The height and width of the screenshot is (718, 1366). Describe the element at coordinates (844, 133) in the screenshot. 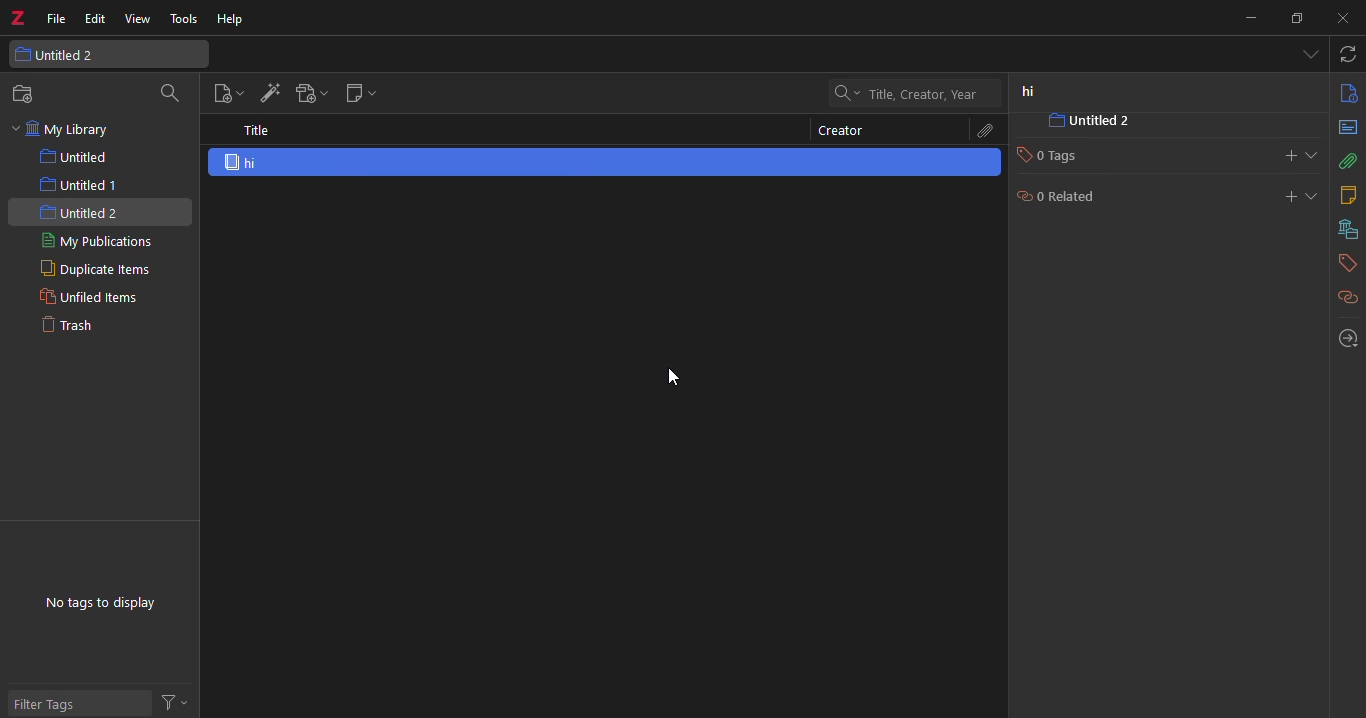

I see `creator` at that location.